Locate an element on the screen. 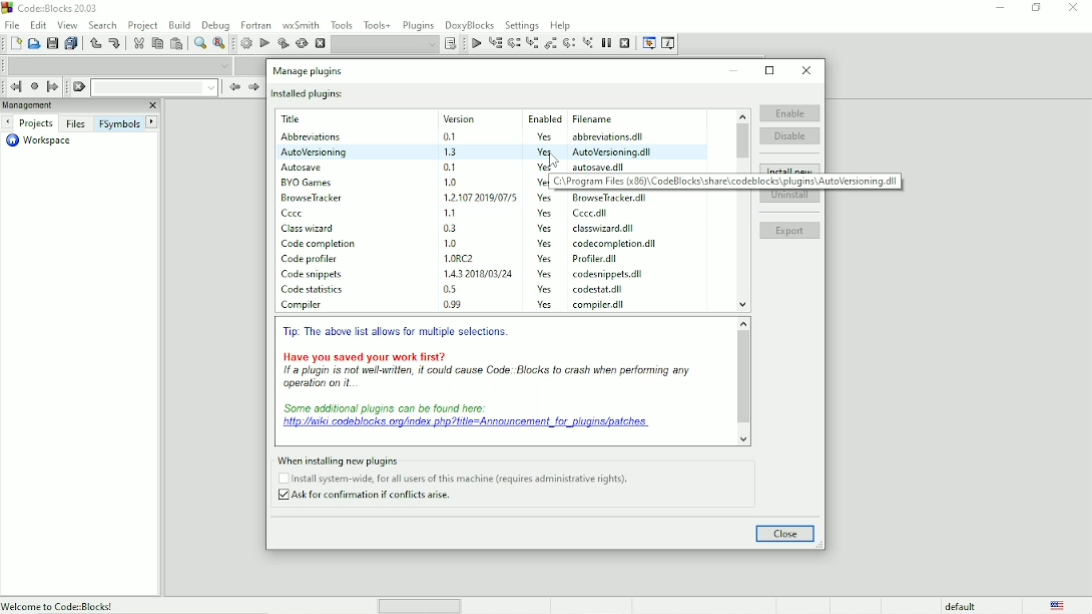 Image resolution: width=1092 pixels, height=614 pixels. Project is located at coordinates (143, 24).